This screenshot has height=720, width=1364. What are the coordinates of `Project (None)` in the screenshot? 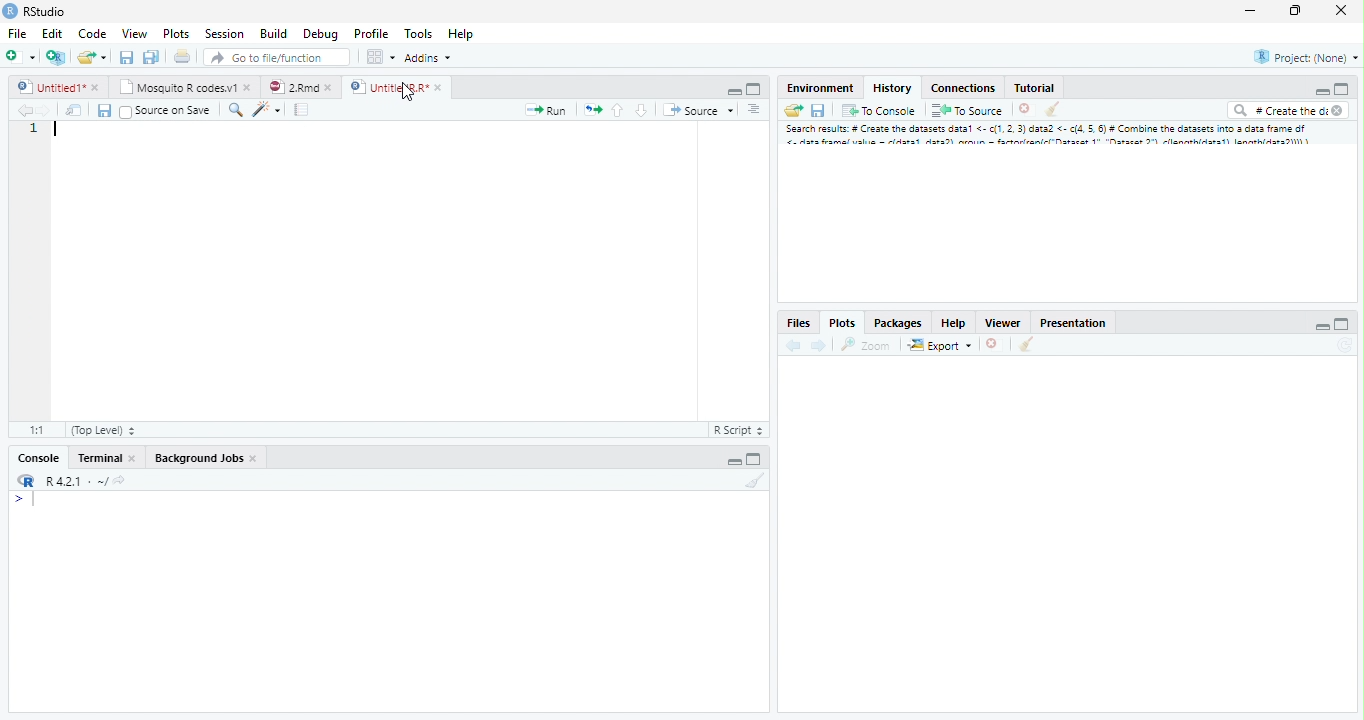 It's located at (1308, 57).